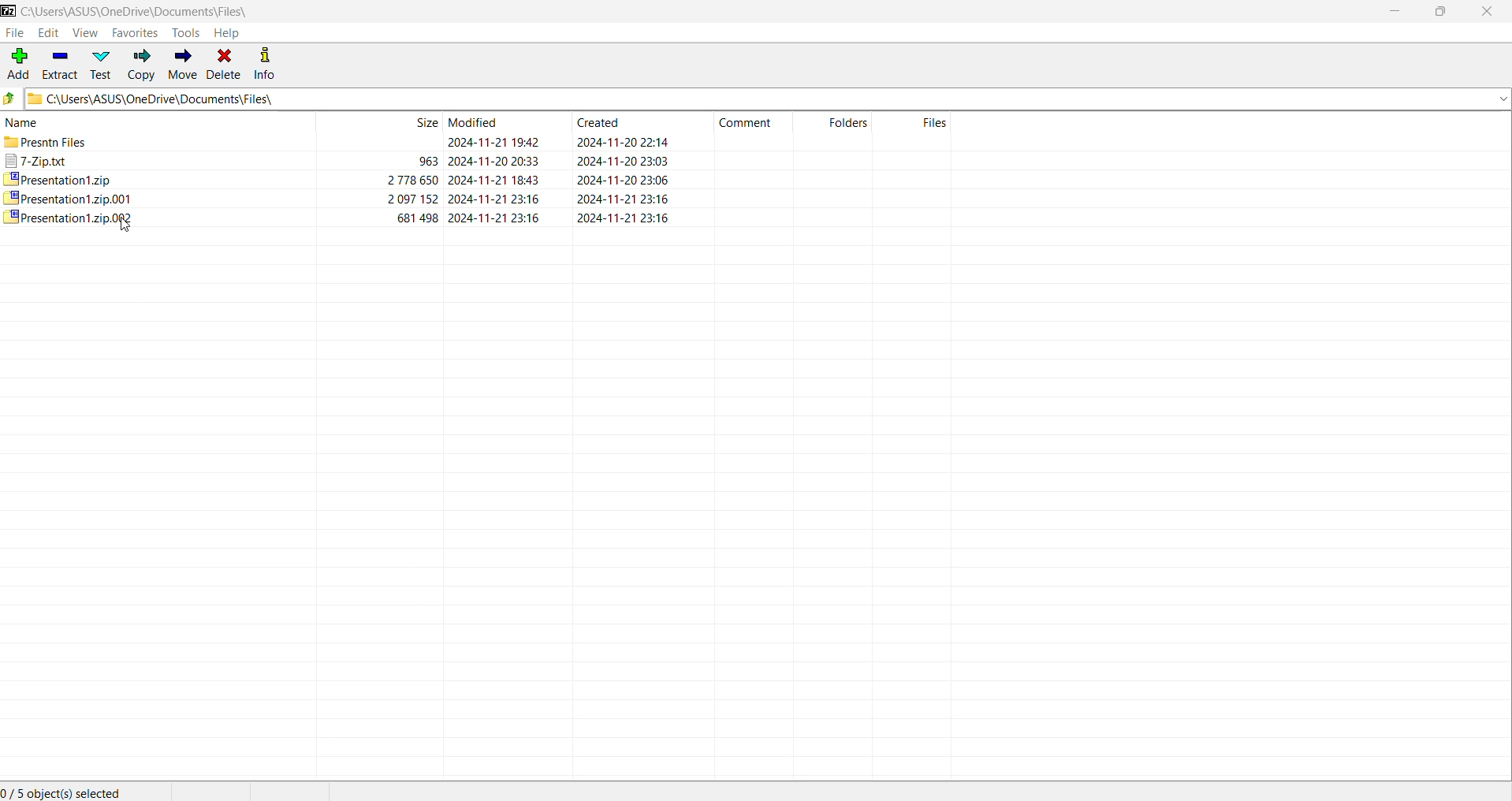  I want to click on Folders, so click(840, 122).